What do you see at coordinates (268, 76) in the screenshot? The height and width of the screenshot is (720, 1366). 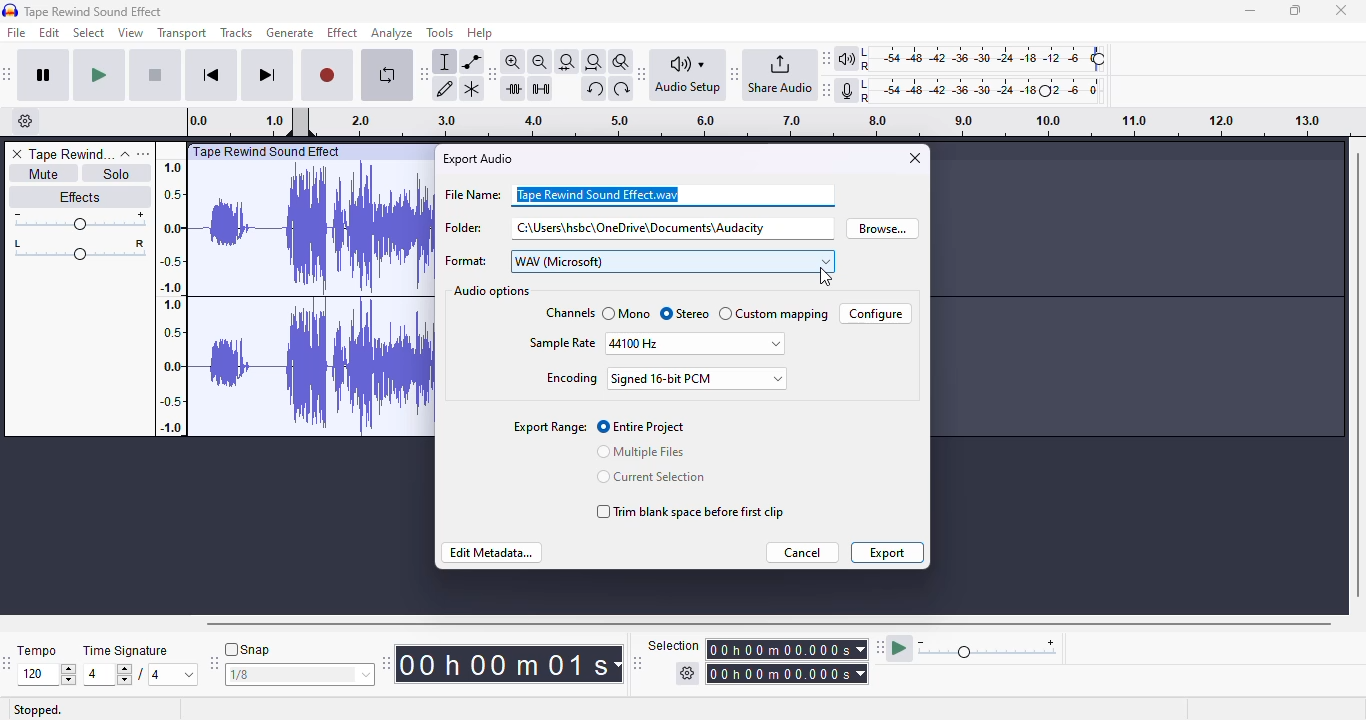 I see `skip to end` at bounding box center [268, 76].